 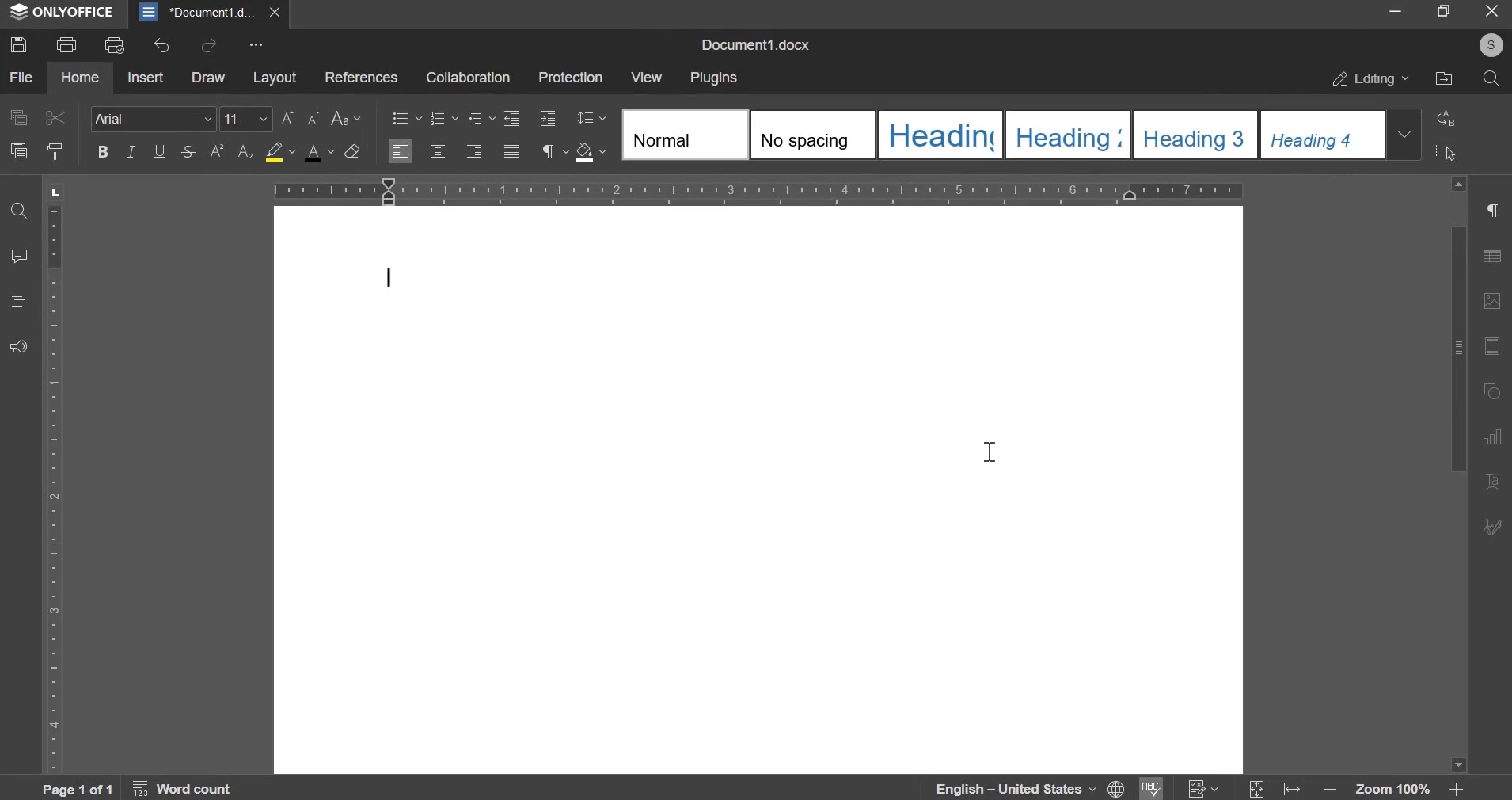 What do you see at coordinates (1491, 81) in the screenshot?
I see `search` at bounding box center [1491, 81].